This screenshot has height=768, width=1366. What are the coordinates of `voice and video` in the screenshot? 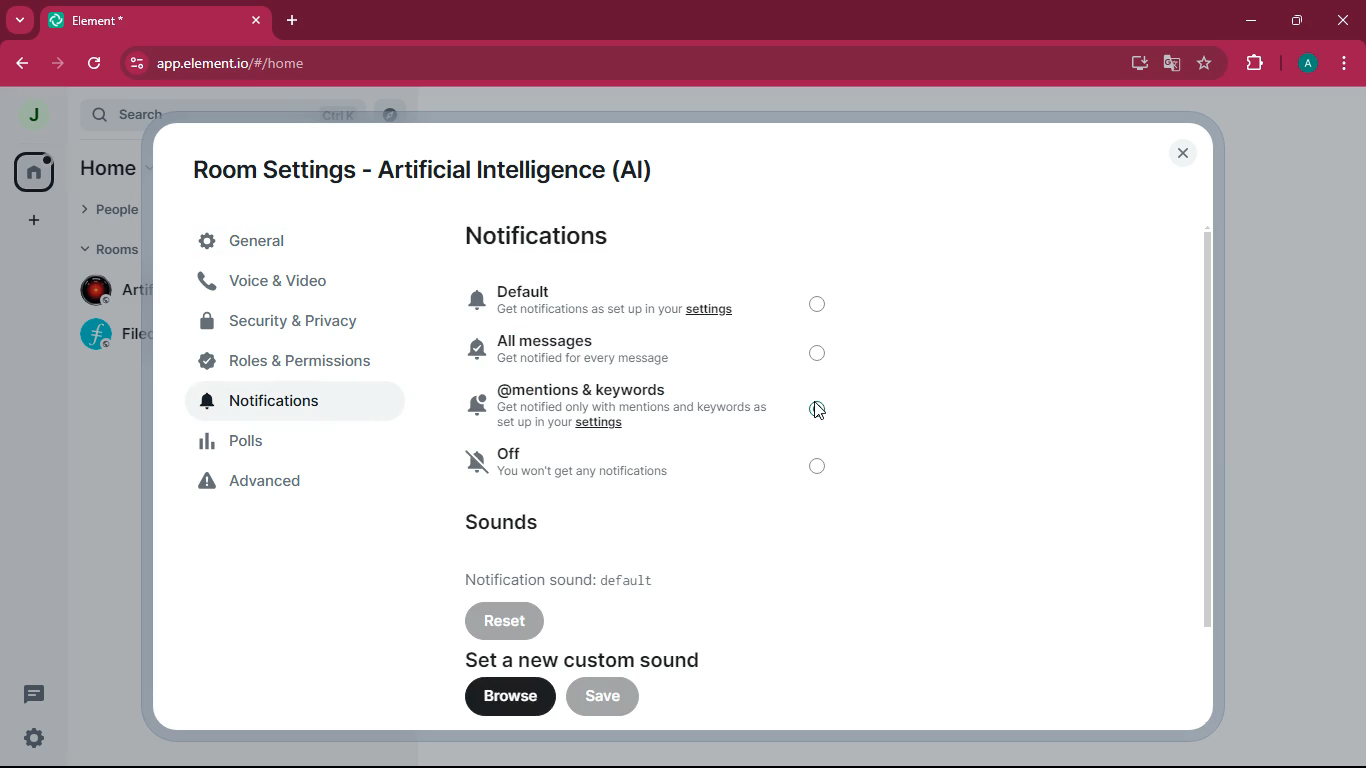 It's located at (294, 284).